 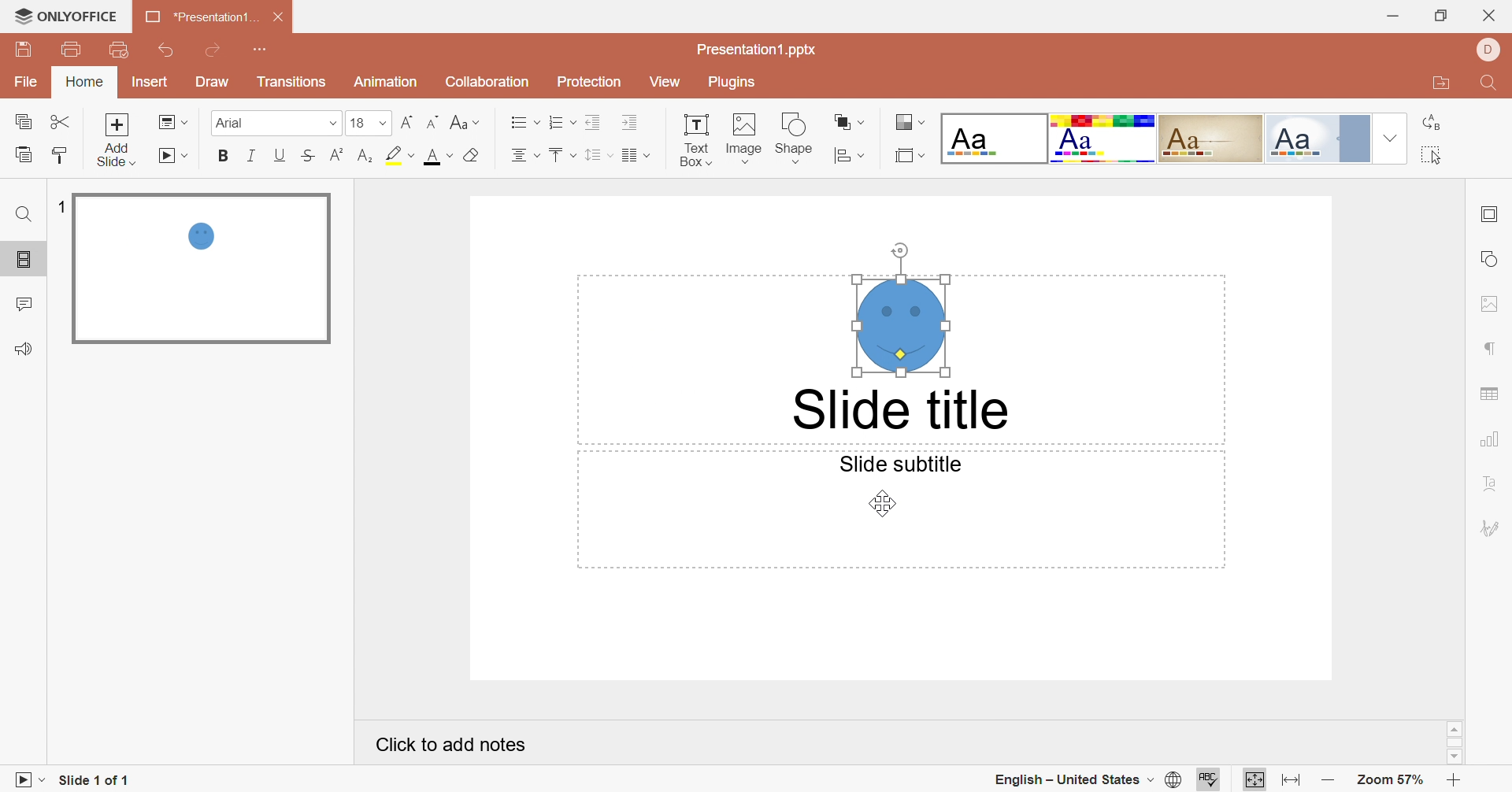 What do you see at coordinates (903, 411) in the screenshot?
I see `Slide title` at bounding box center [903, 411].